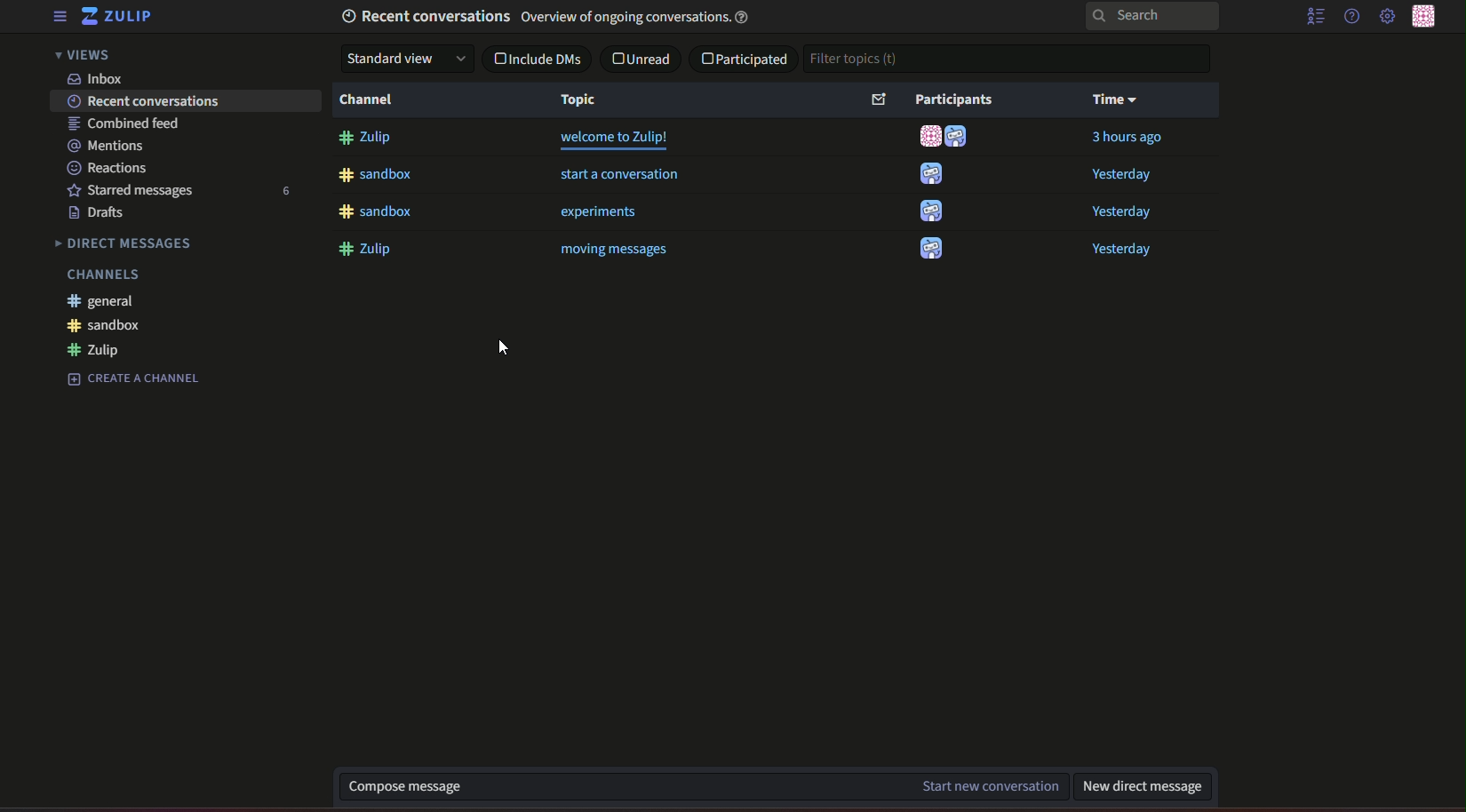  What do you see at coordinates (931, 211) in the screenshot?
I see `icon` at bounding box center [931, 211].